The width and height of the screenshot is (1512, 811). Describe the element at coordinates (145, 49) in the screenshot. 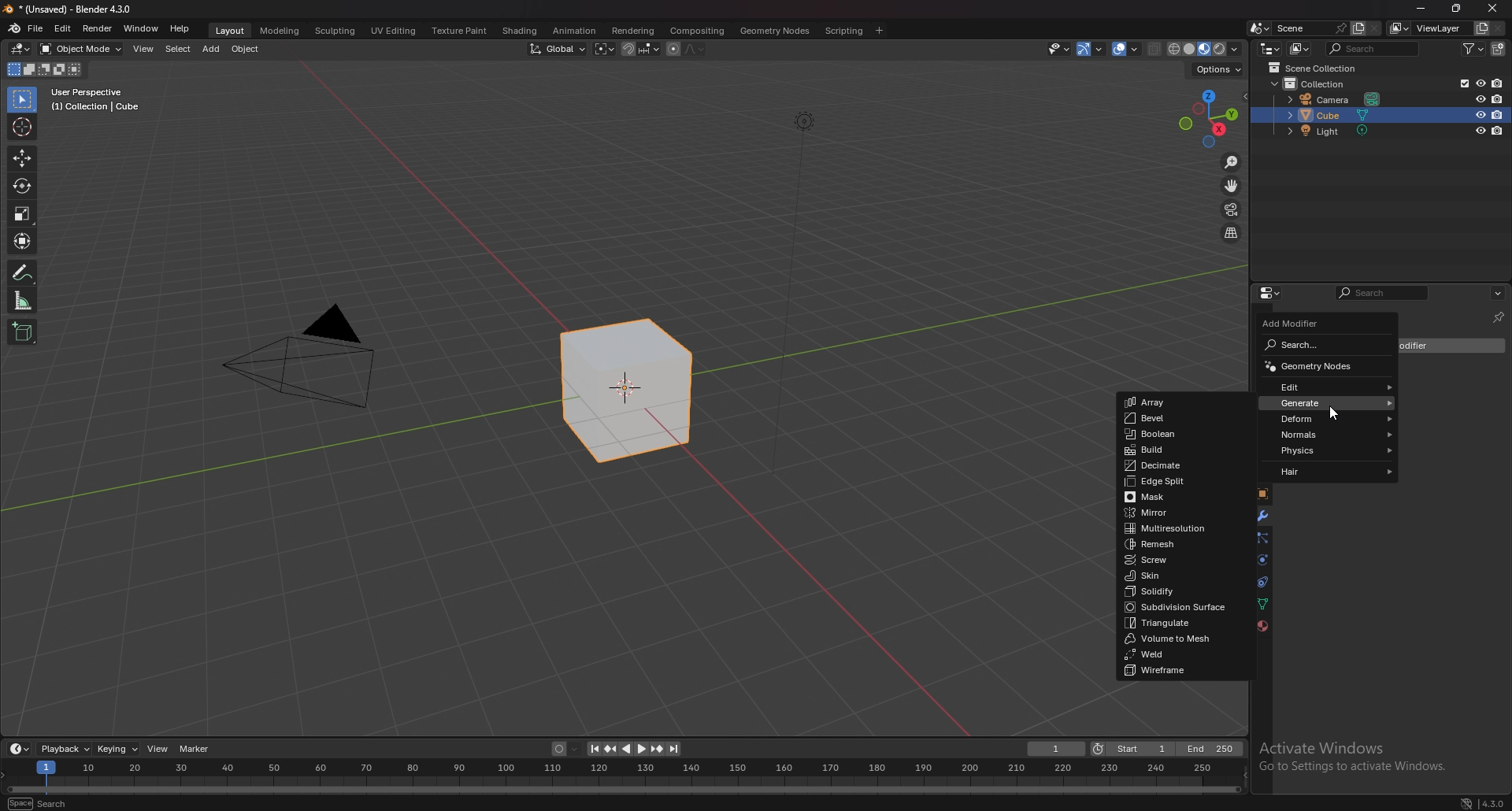

I see `view` at that location.